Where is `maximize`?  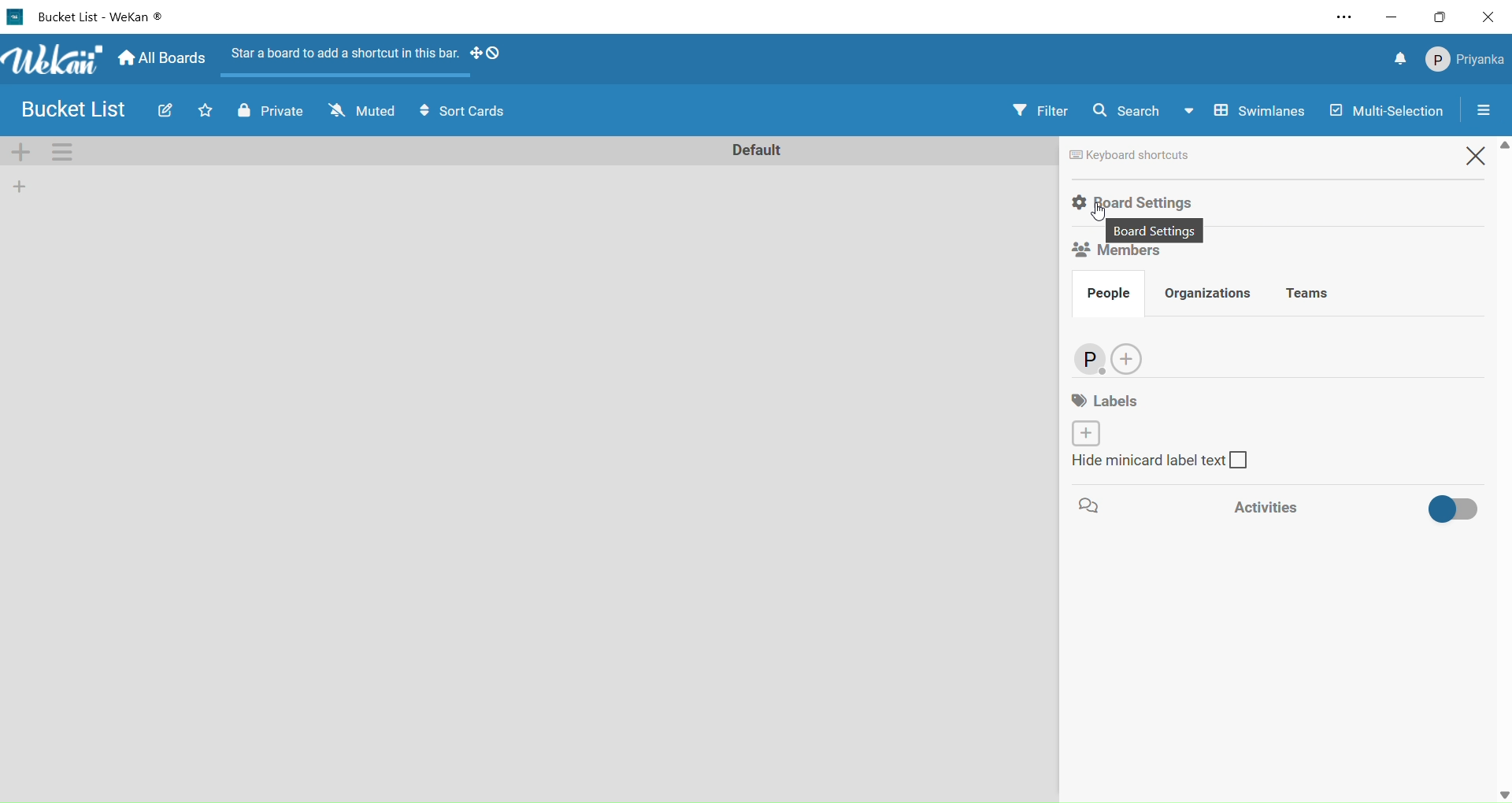
maximize is located at coordinates (1443, 17).